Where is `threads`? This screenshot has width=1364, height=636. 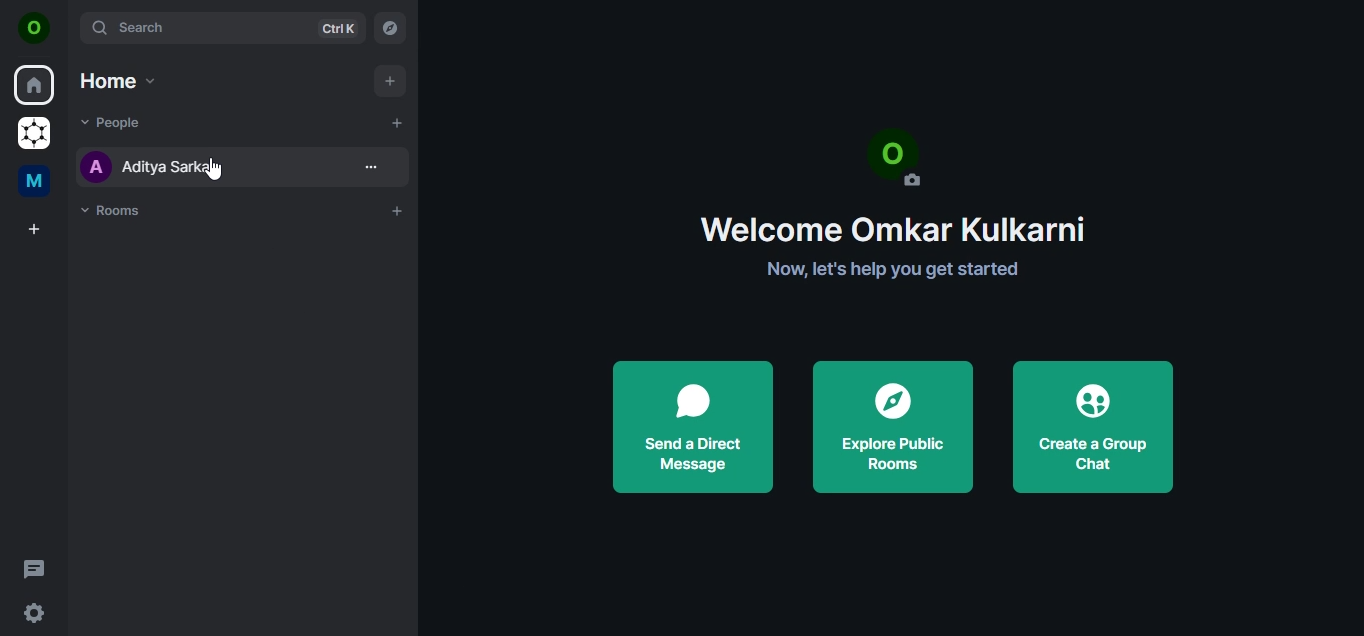 threads is located at coordinates (38, 570).